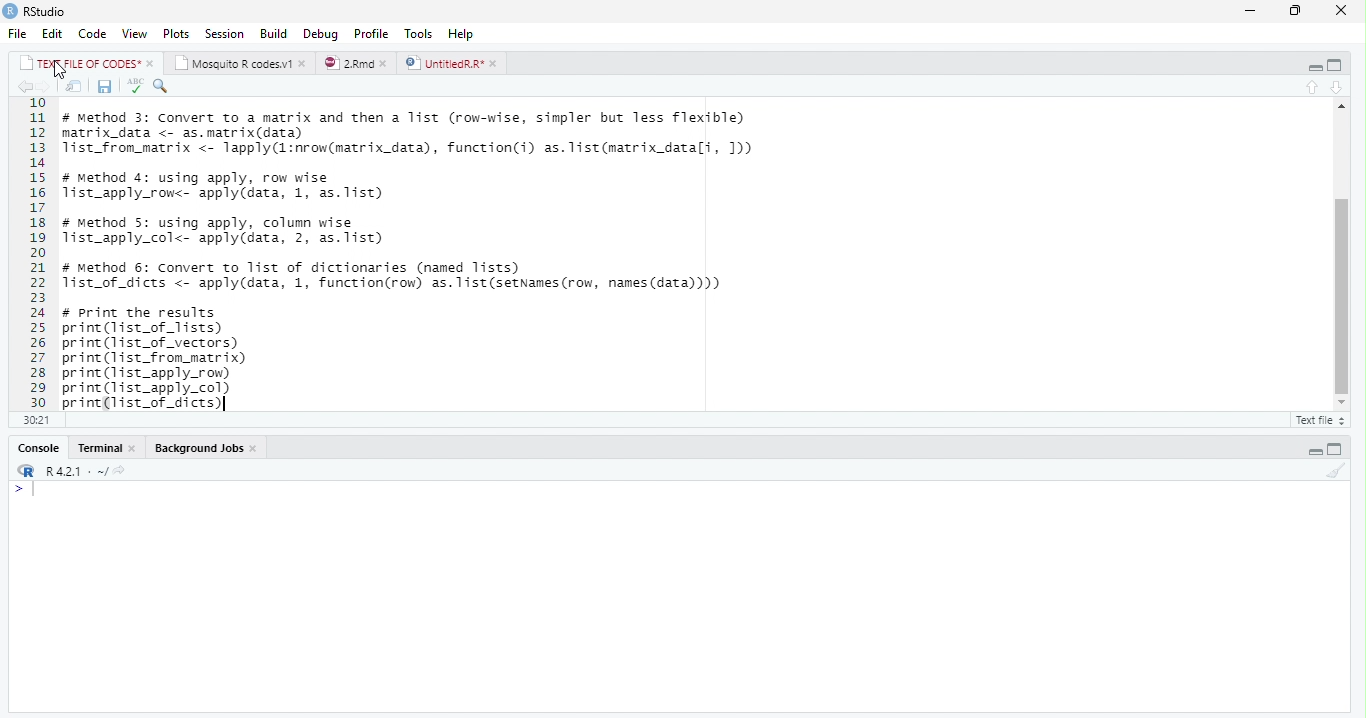 This screenshot has height=718, width=1366. Describe the element at coordinates (1312, 66) in the screenshot. I see `Hide` at that location.